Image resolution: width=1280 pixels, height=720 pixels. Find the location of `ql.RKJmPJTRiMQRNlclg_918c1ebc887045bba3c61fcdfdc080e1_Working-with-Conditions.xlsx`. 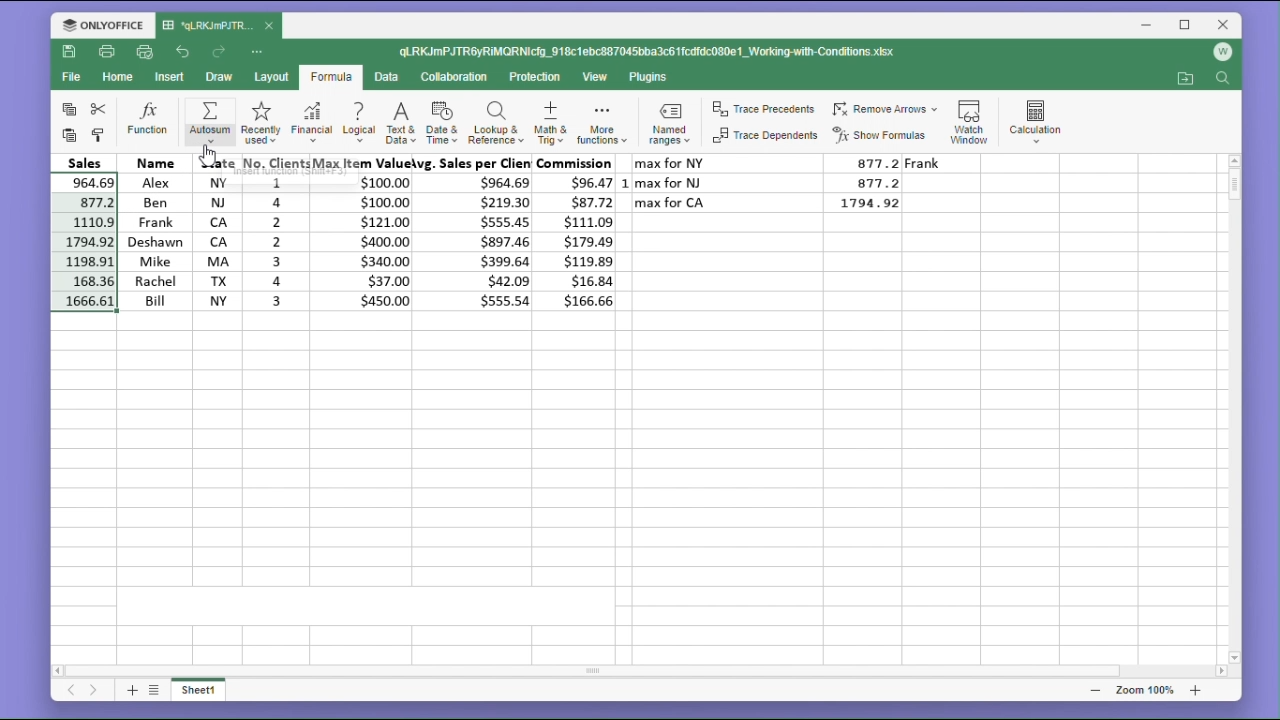

ql.RKJmPJTRiMQRNlclg_918c1ebc887045bba3c61fcdfdc080e1_Working-with-Conditions.xlsx is located at coordinates (668, 52).